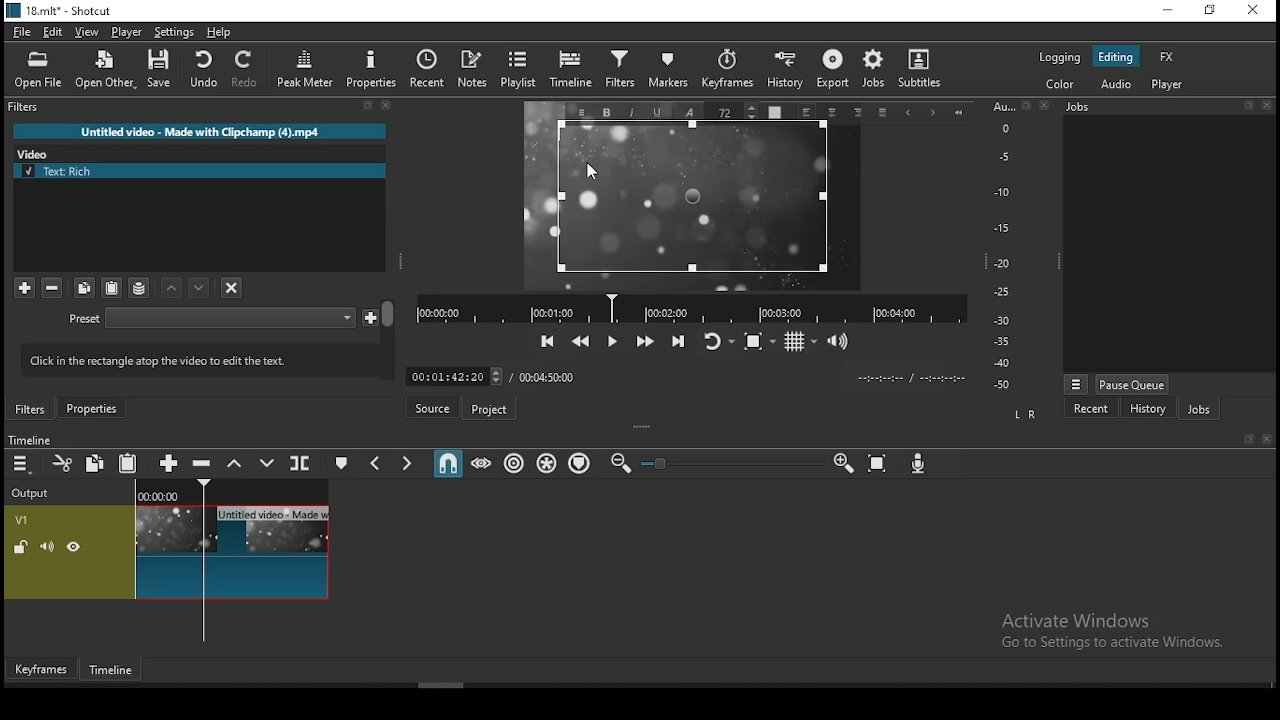  Describe the element at coordinates (571, 71) in the screenshot. I see `timeline` at that location.